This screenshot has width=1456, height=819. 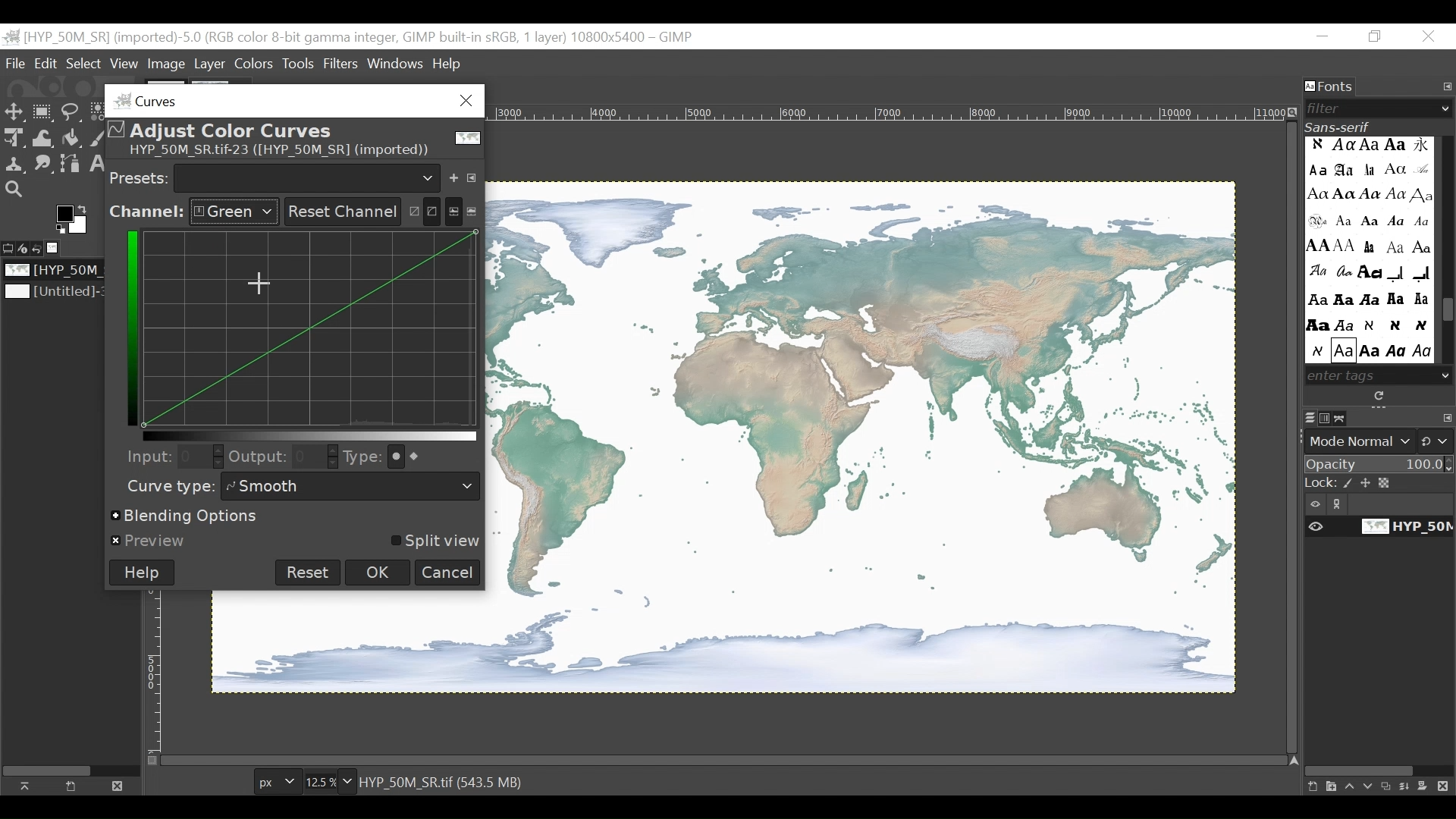 I want to click on Image, so click(x=168, y=64).